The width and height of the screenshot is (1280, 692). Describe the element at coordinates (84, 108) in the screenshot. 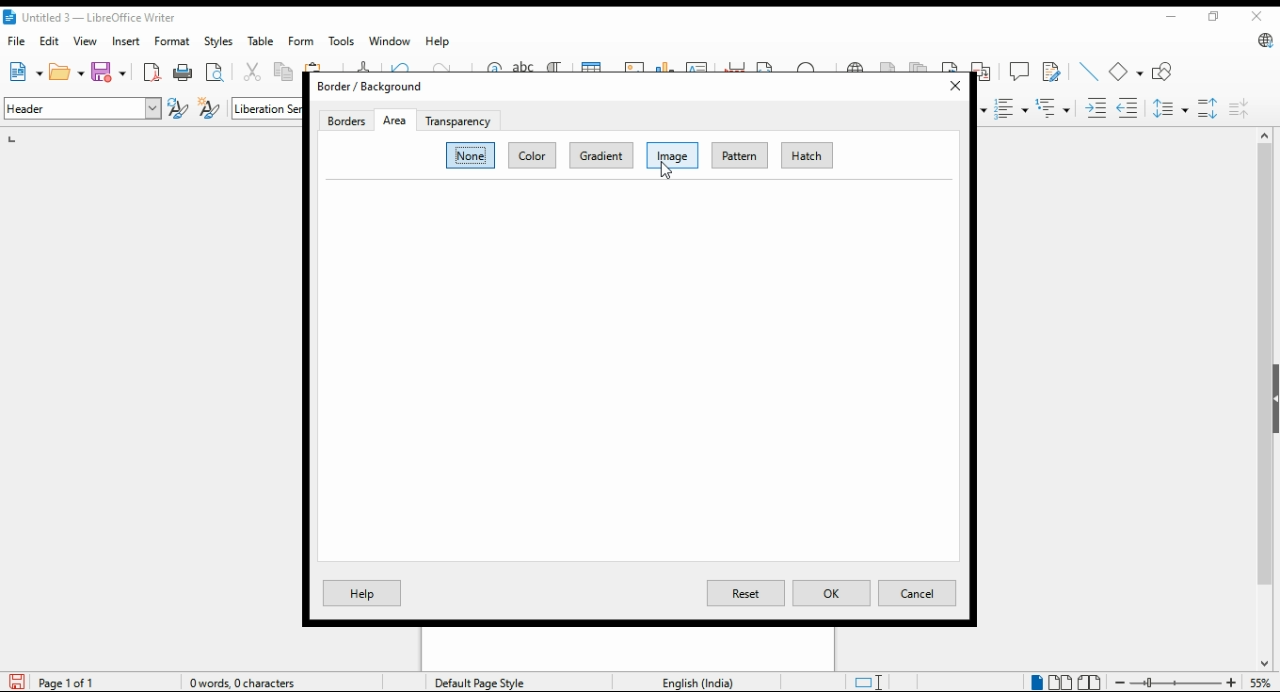

I see `paragraph style` at that location.